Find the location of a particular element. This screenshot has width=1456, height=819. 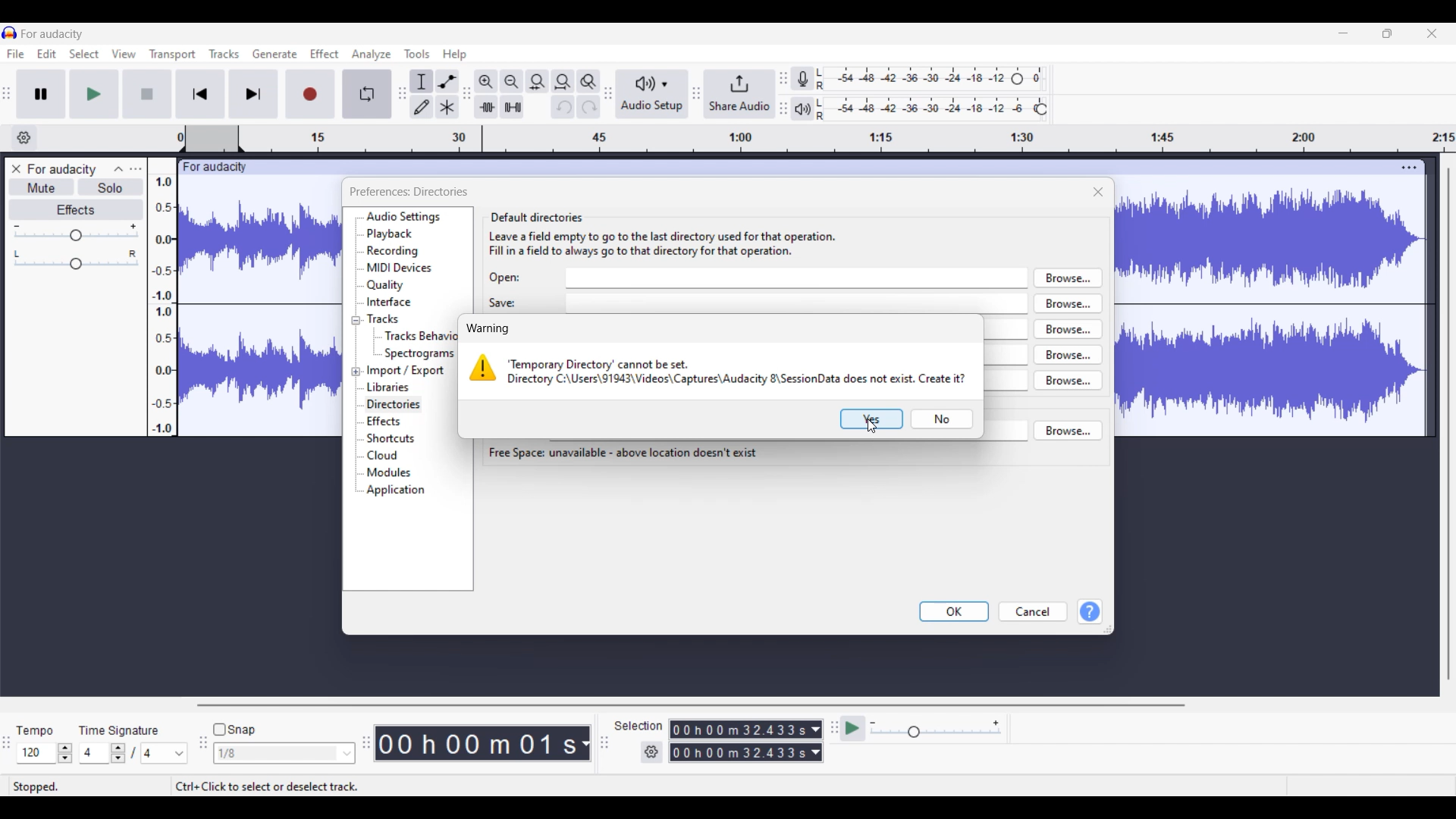

Playback speed scale is located at coordinates (936, 728).